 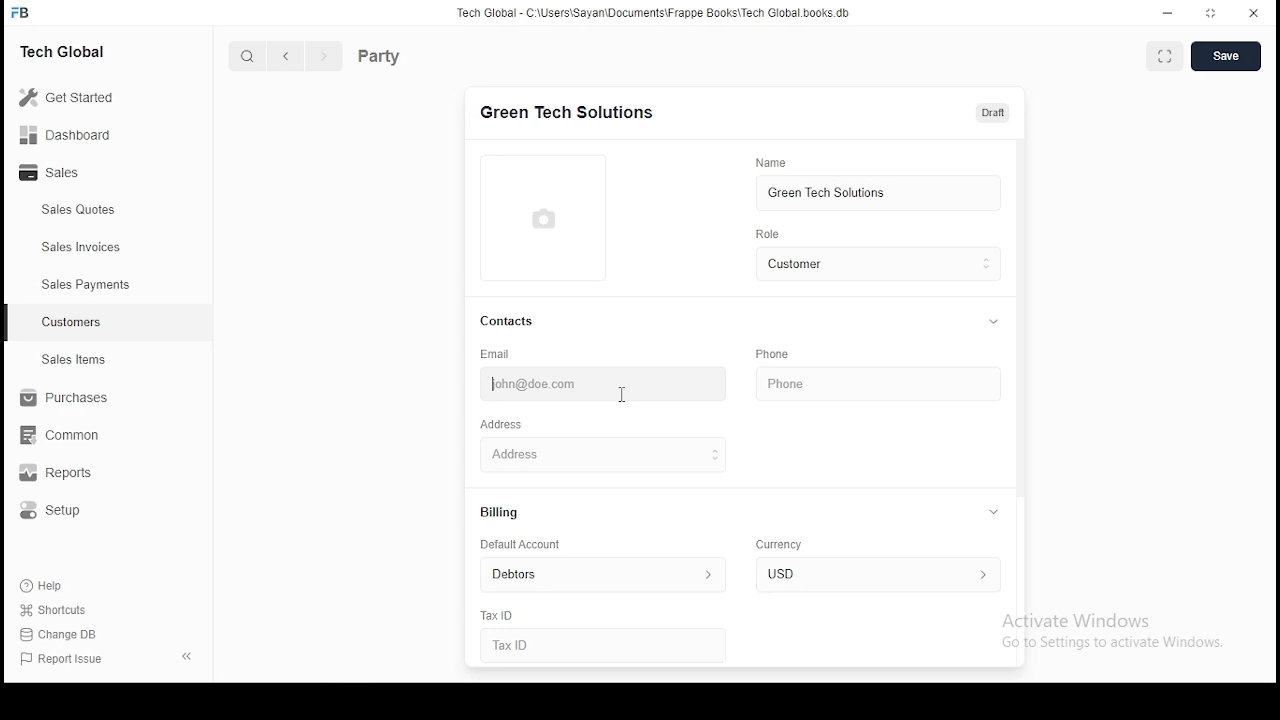 I want to click on john@doe.com, so click(x=583, y=385).